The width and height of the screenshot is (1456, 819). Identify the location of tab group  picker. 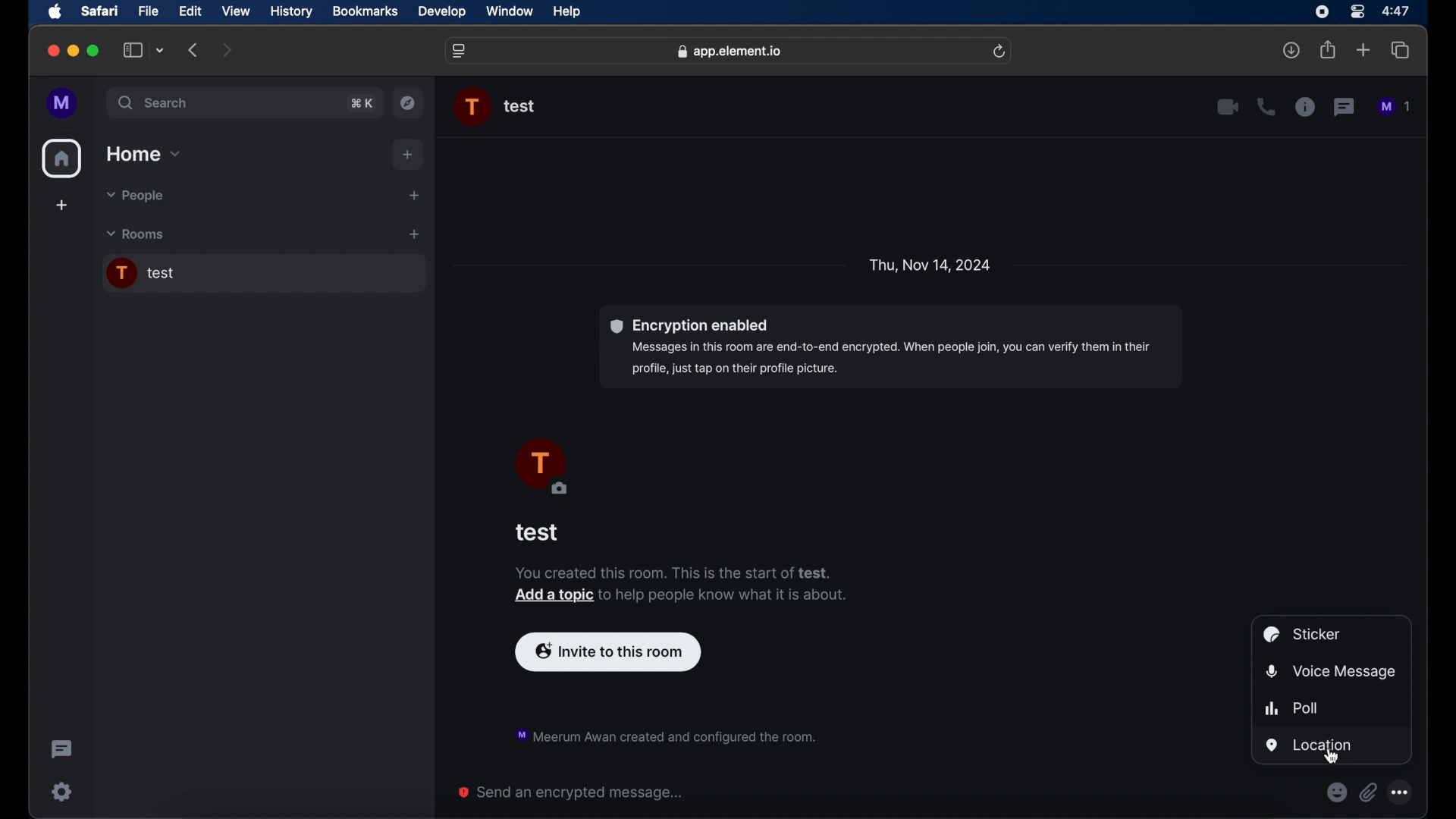
(160, 51).